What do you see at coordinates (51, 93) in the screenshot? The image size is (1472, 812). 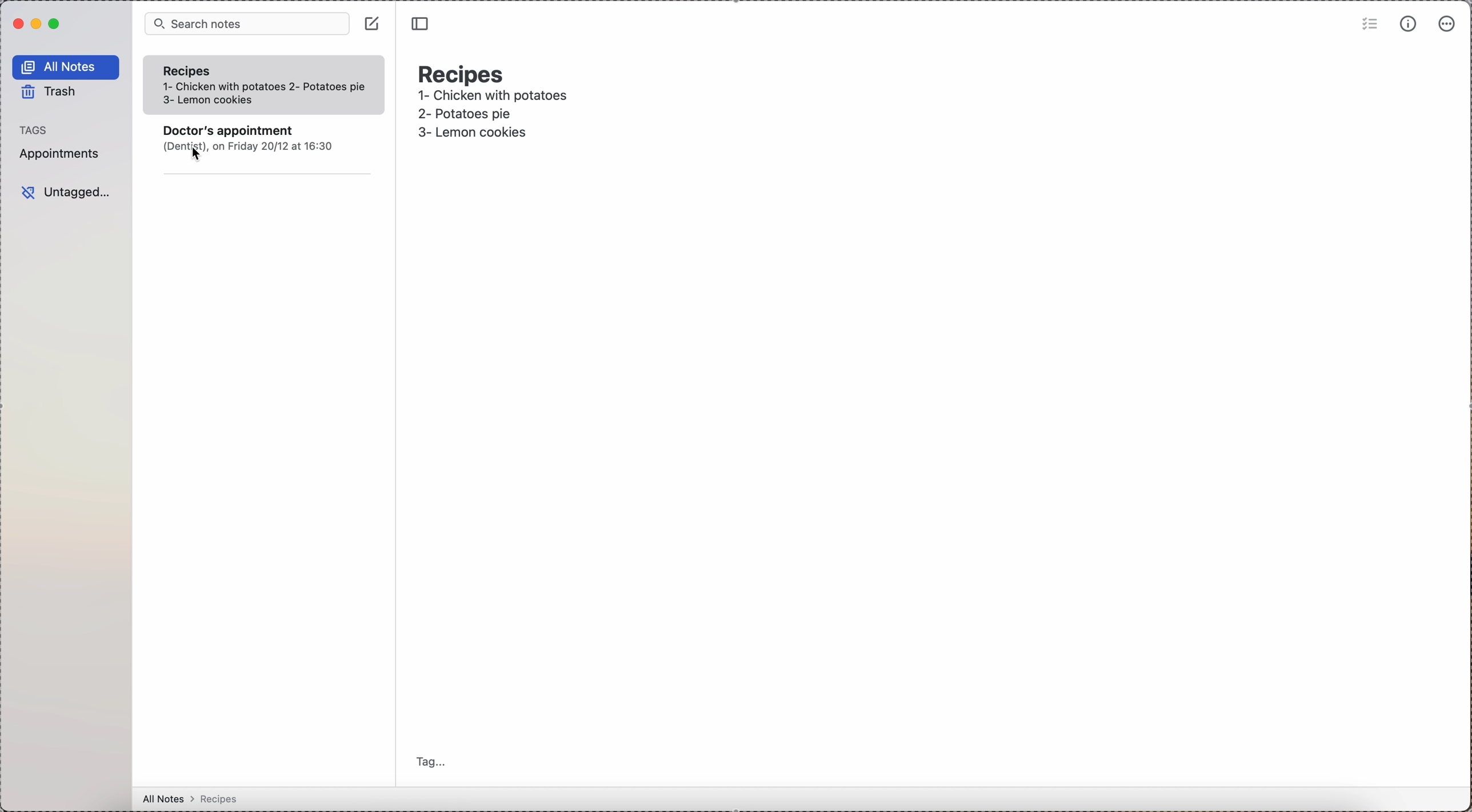 I see `trash` at bounding box center [51, 93].